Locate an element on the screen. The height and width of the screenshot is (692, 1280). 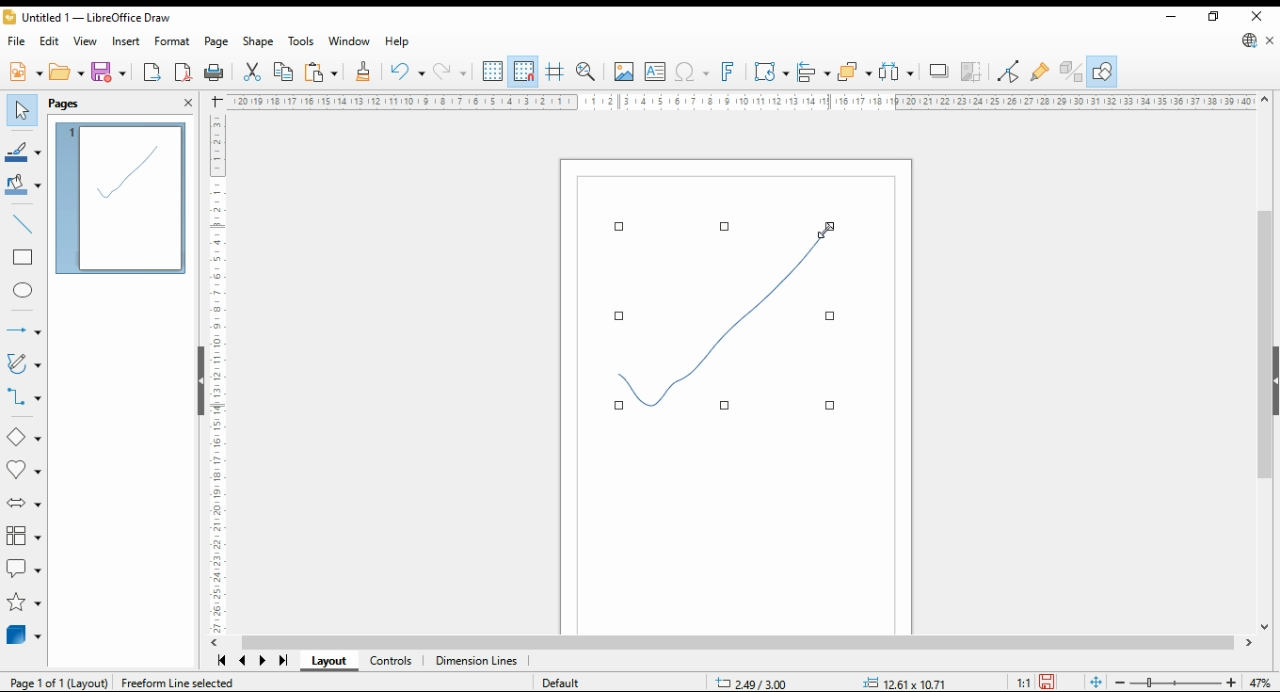
align objects is located at coordinates (814, 72).